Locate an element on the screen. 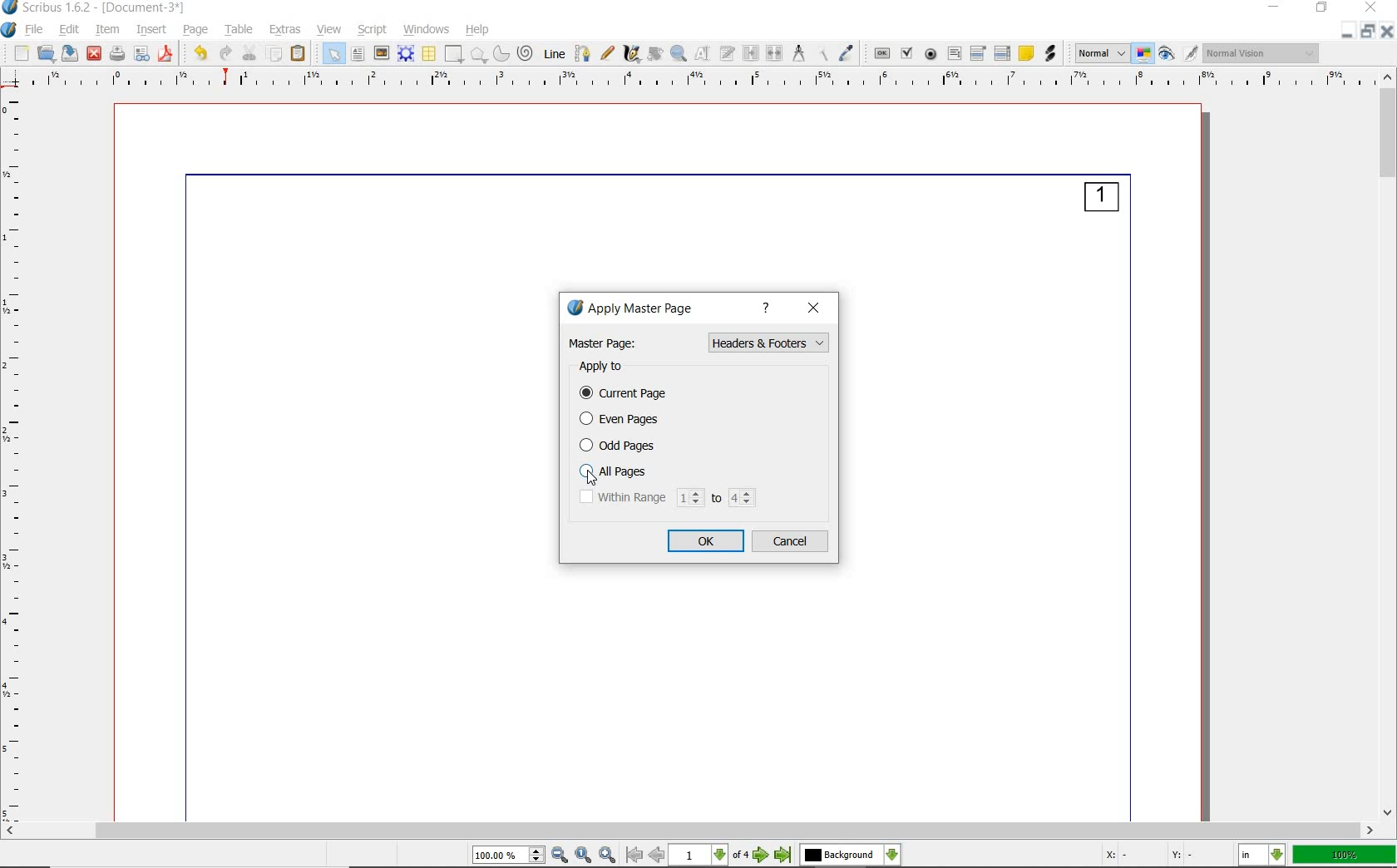 The image size is (1397, 868). help is located at coordinates (768, 309).